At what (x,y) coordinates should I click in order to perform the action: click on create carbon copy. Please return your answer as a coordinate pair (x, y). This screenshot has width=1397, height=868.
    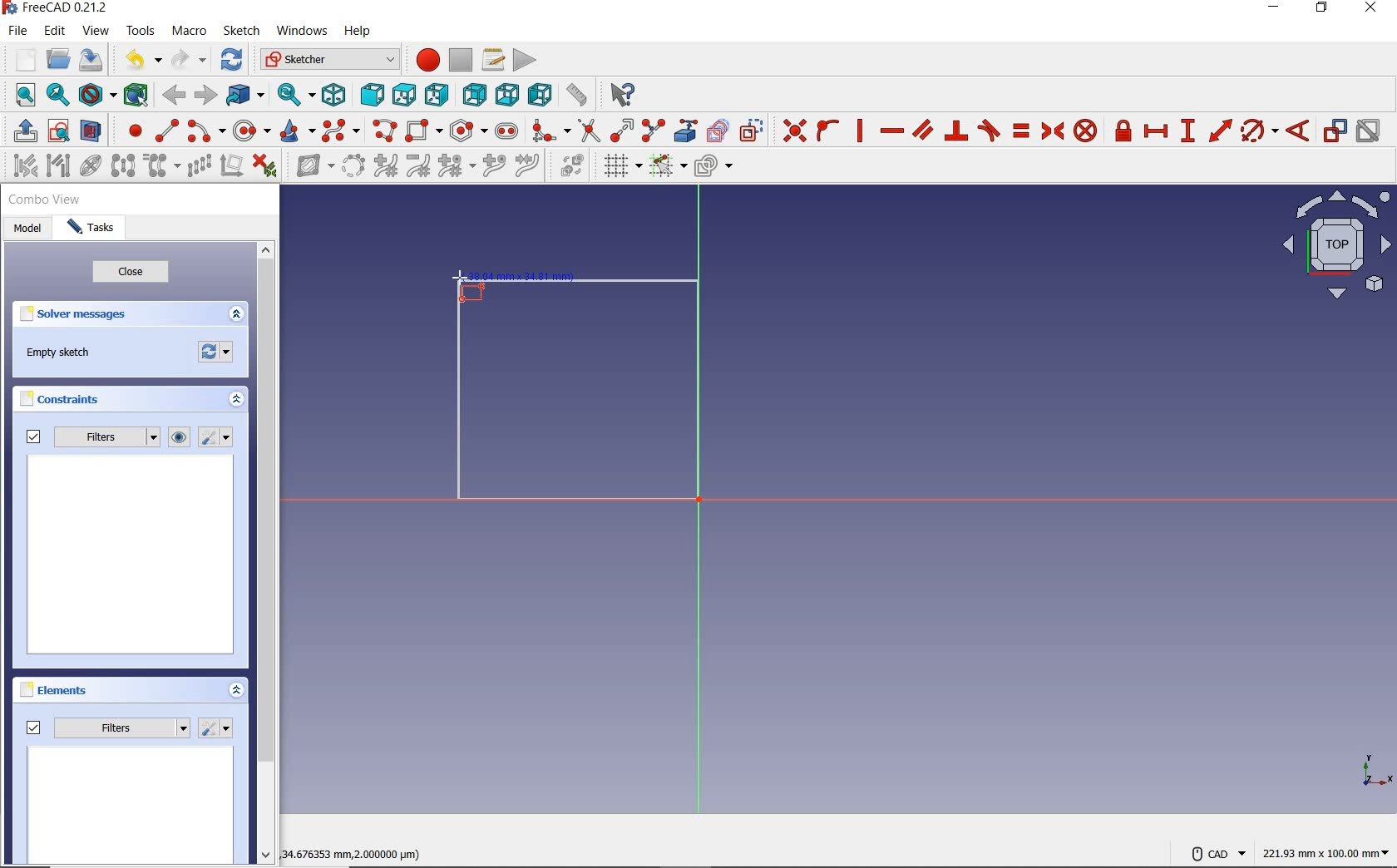
    Looking at the image, I should click on (718, 131).